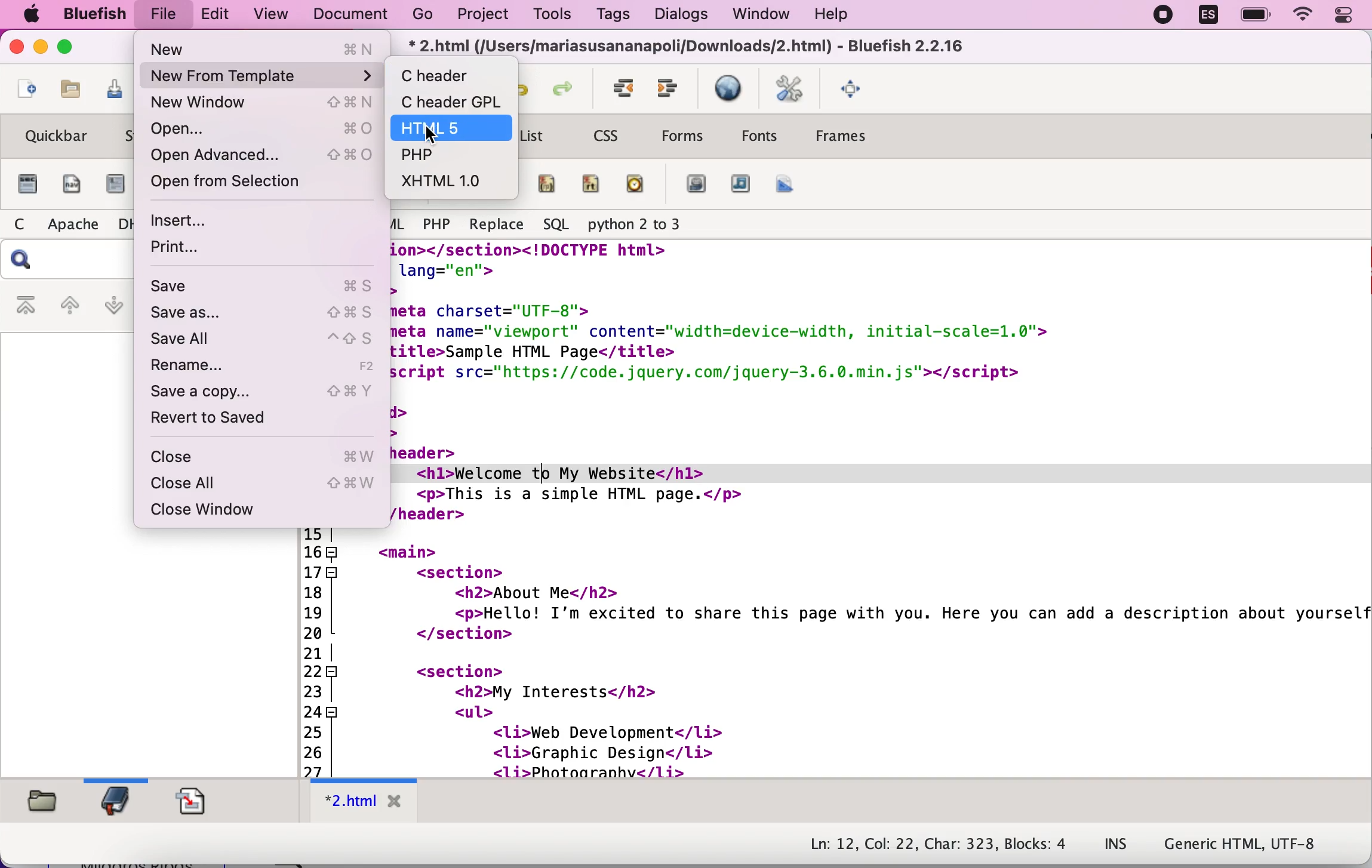  Describe the element at coordinates (256, 186) in the screenshot. I see `open from selection` at that location.